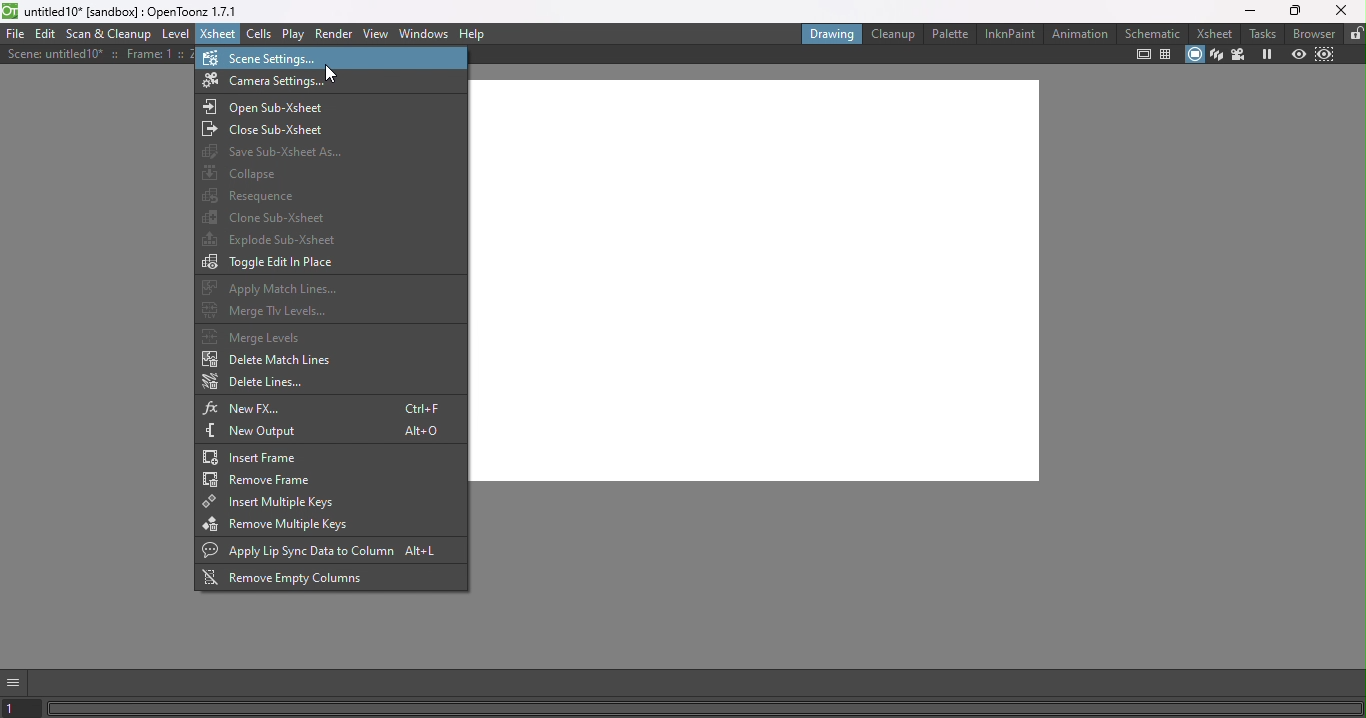 Image resolution: width=1366 pixels, height=718 pixels. I want to click on Maximize, so click(1292, 12).